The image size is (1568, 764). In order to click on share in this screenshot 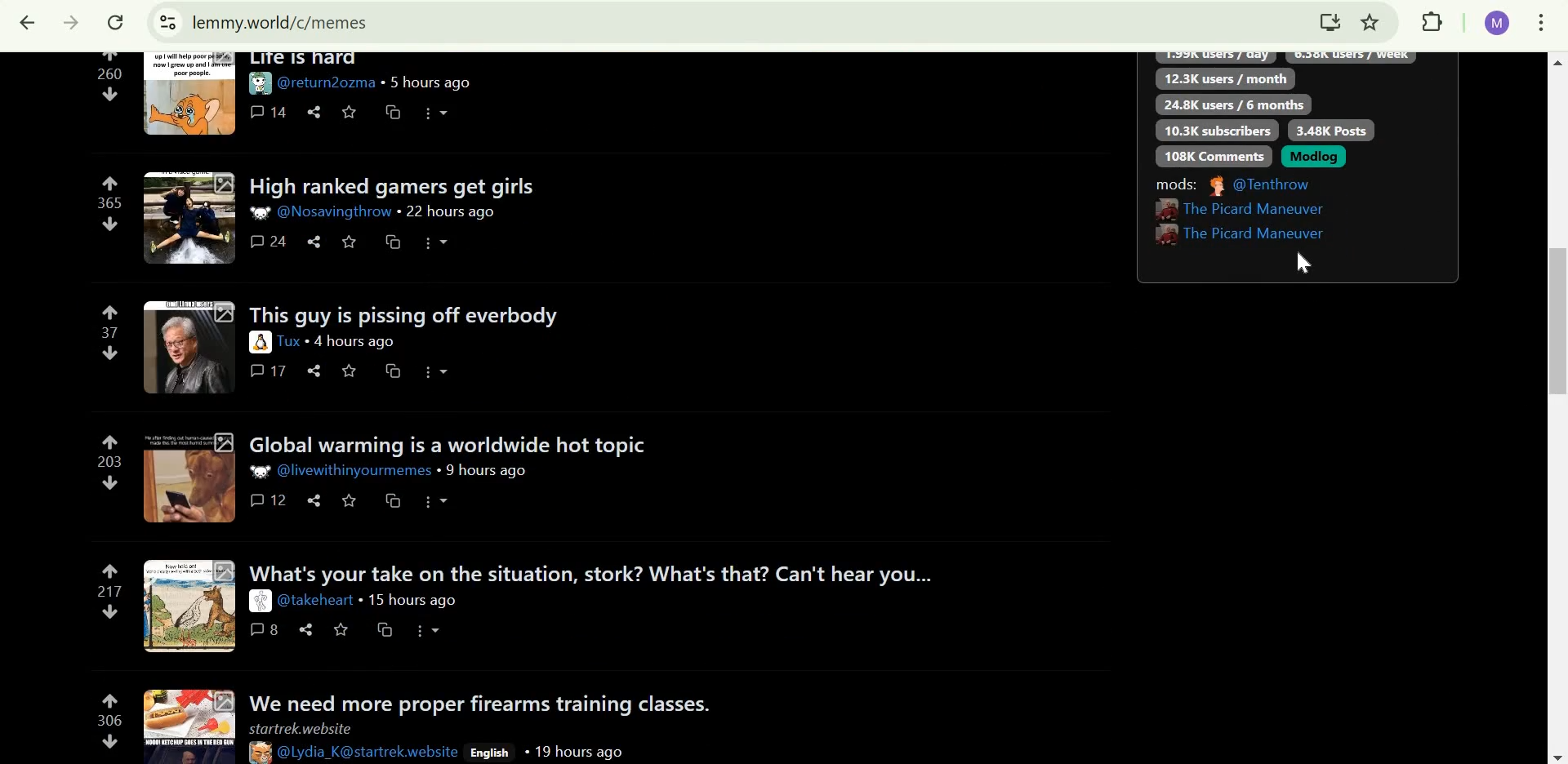, I will do `click(317, 111)`.